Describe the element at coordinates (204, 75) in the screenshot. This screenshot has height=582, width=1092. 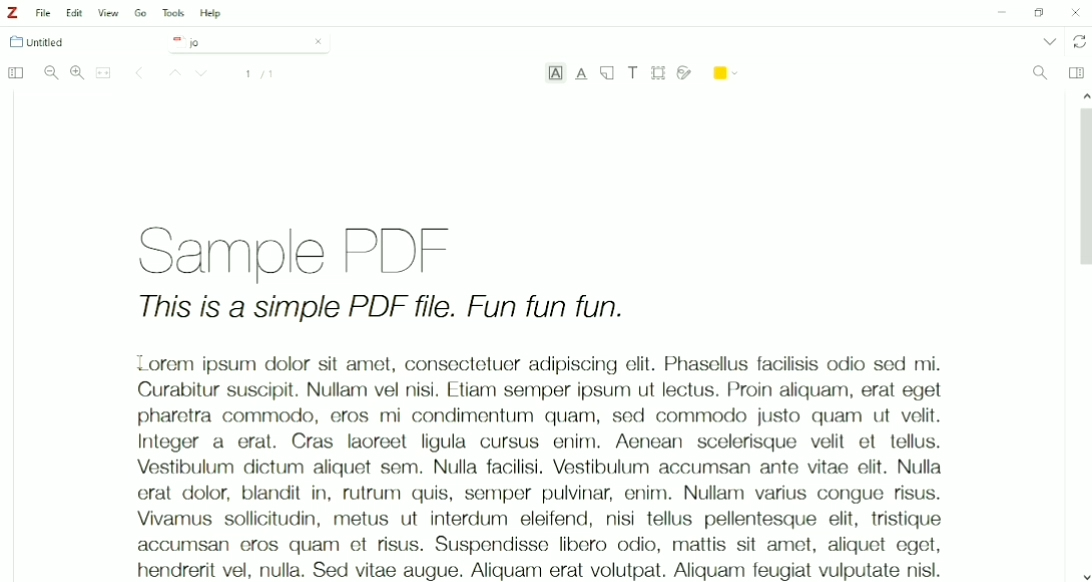
I see `Down` at that location.